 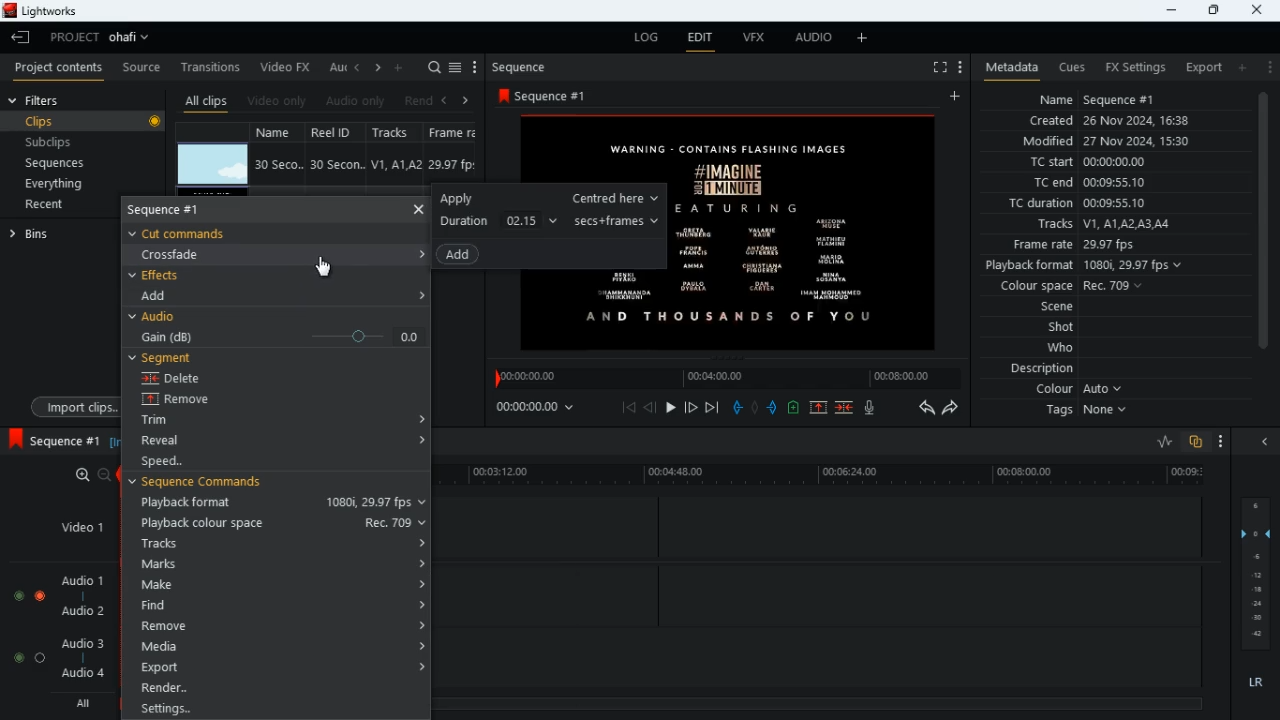 I want to click on more, so click(x=1268, y=66).